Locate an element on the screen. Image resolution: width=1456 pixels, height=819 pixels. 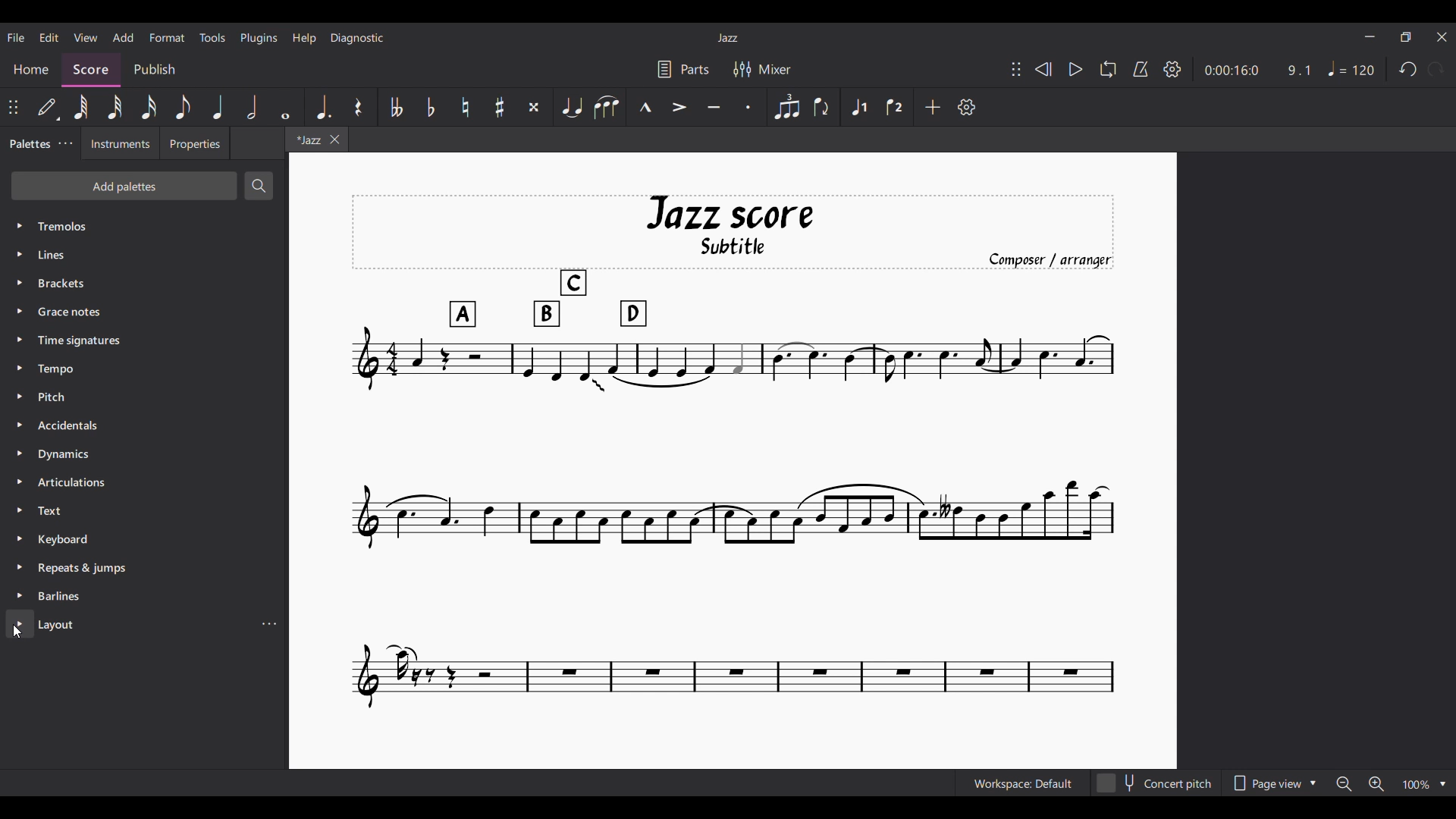
Repeats and jumps is located at coordinates (144, 568).